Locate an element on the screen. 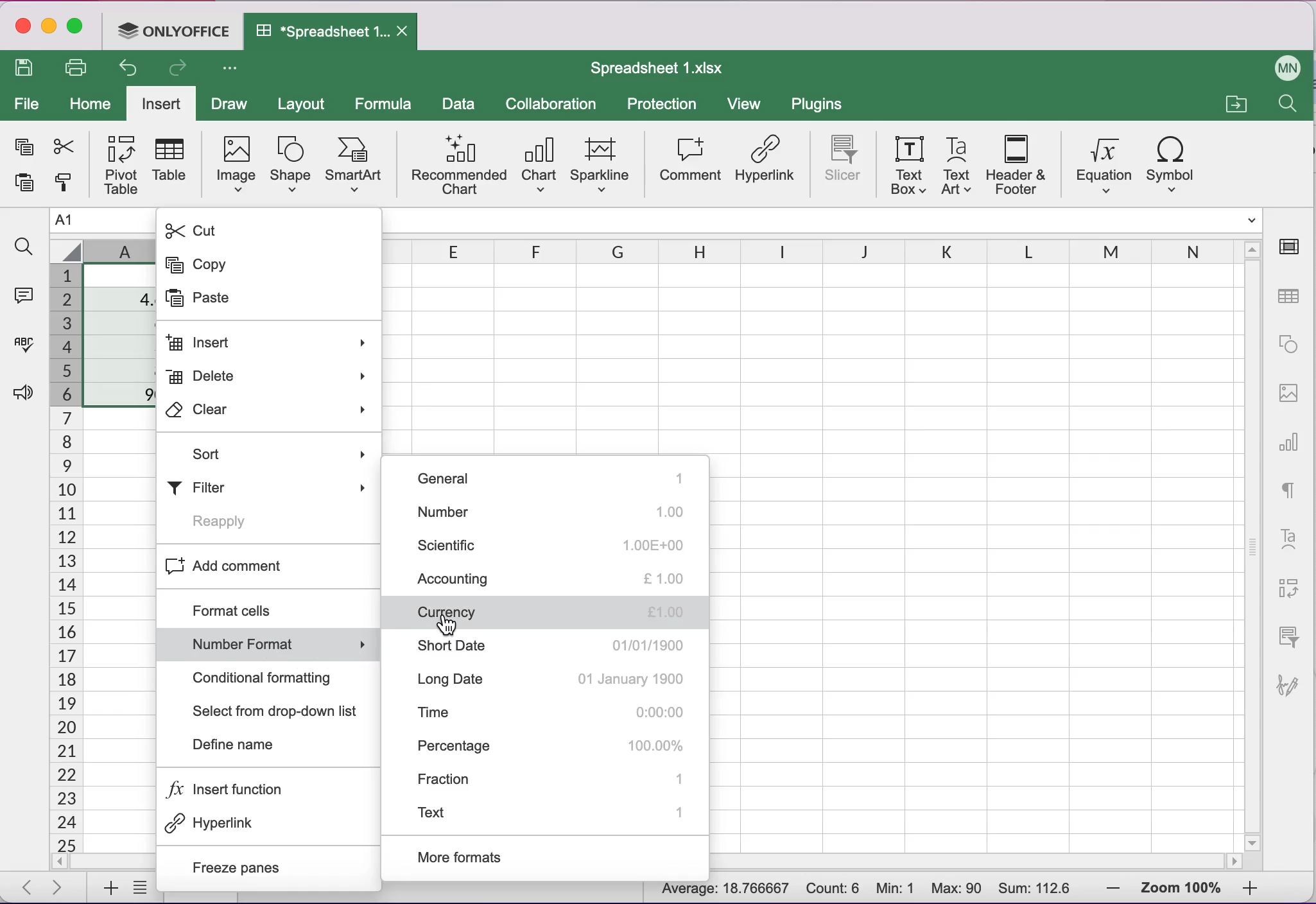  vertical scrollbar is located at coordinates (1251, 557).